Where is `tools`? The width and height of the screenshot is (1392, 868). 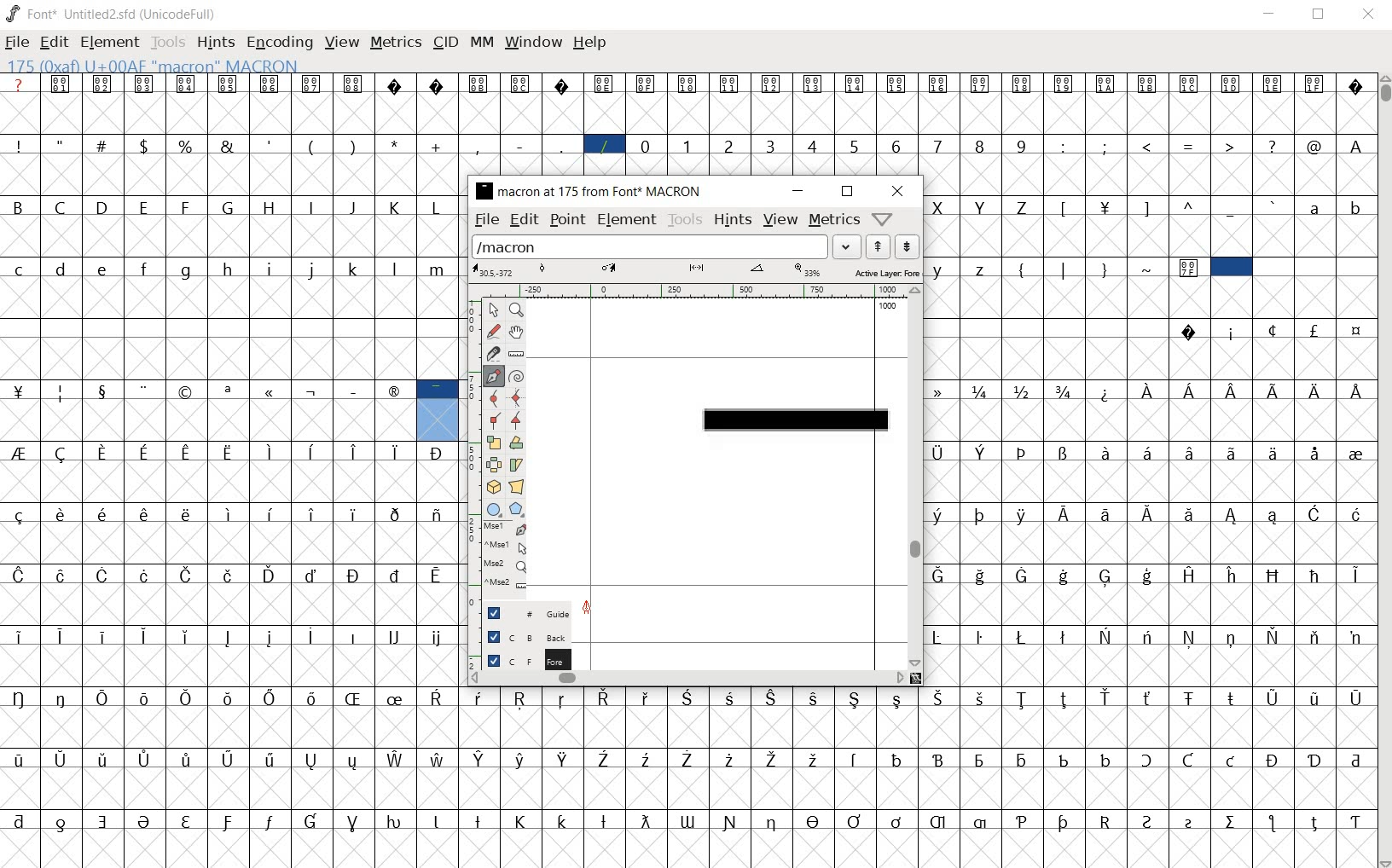 tools is located at coordinates (685, 217).